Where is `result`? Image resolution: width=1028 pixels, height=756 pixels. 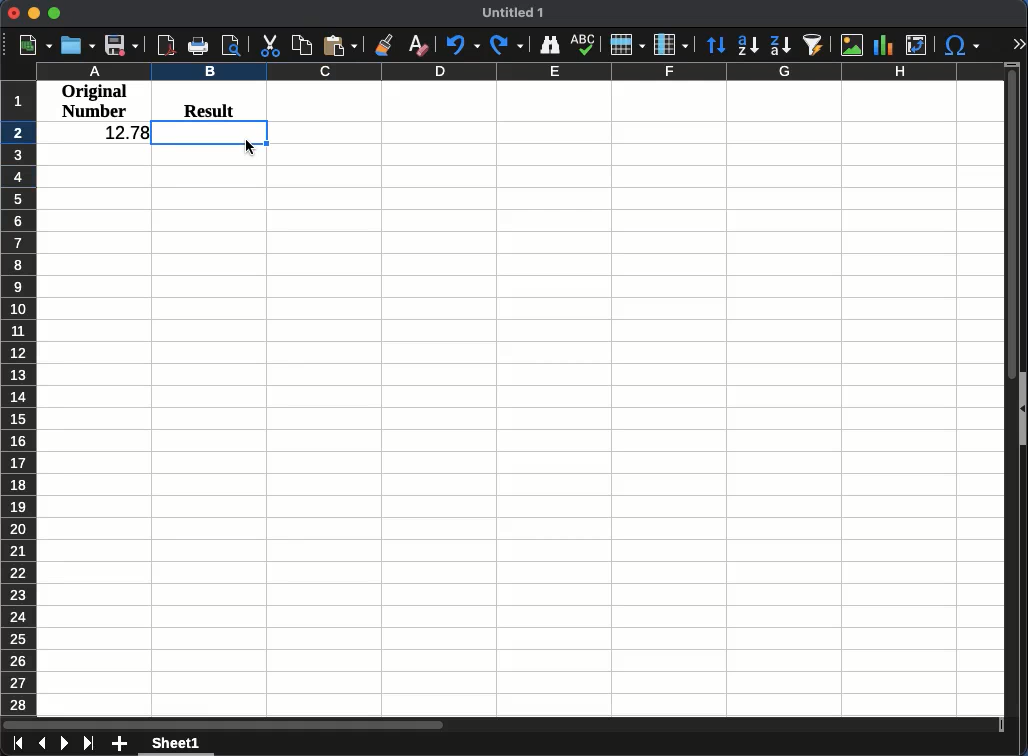 result is located at coordinates (209, 107).